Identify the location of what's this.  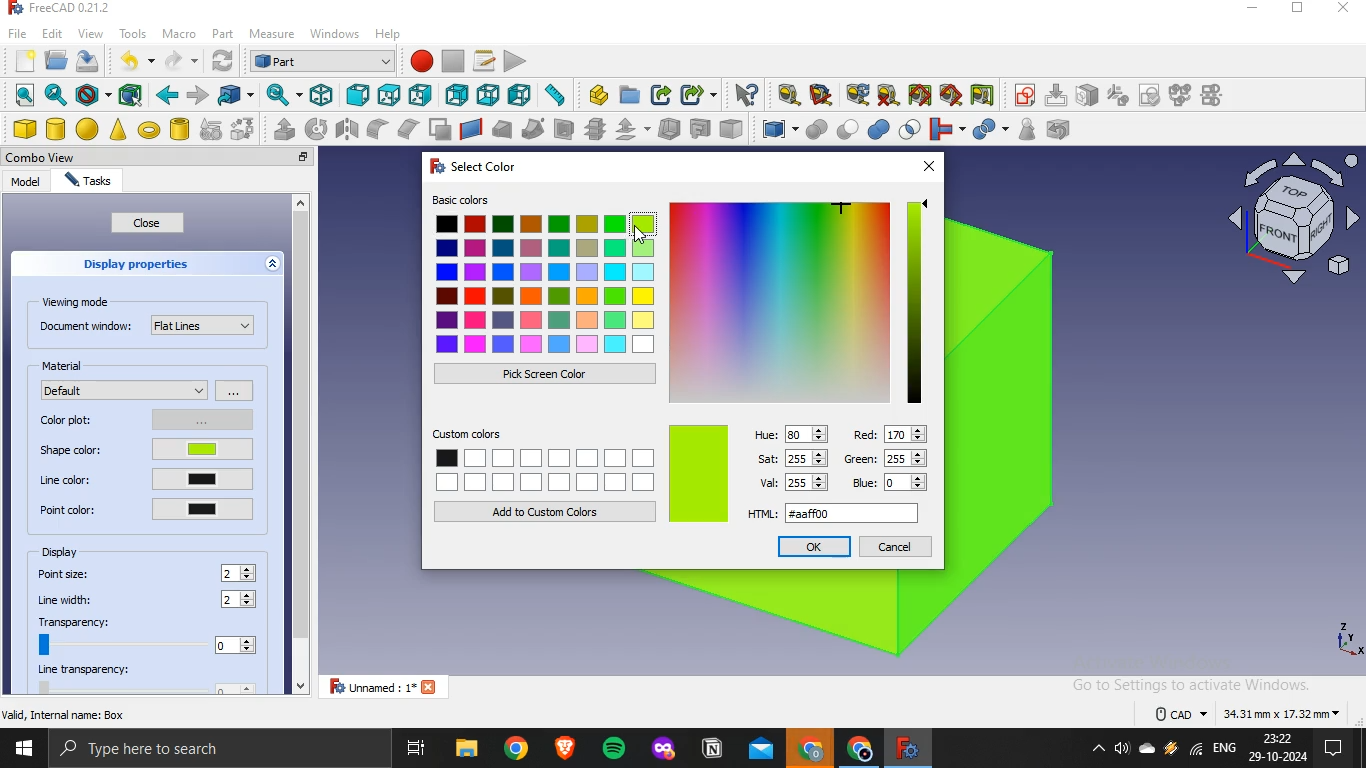
(746, 95).